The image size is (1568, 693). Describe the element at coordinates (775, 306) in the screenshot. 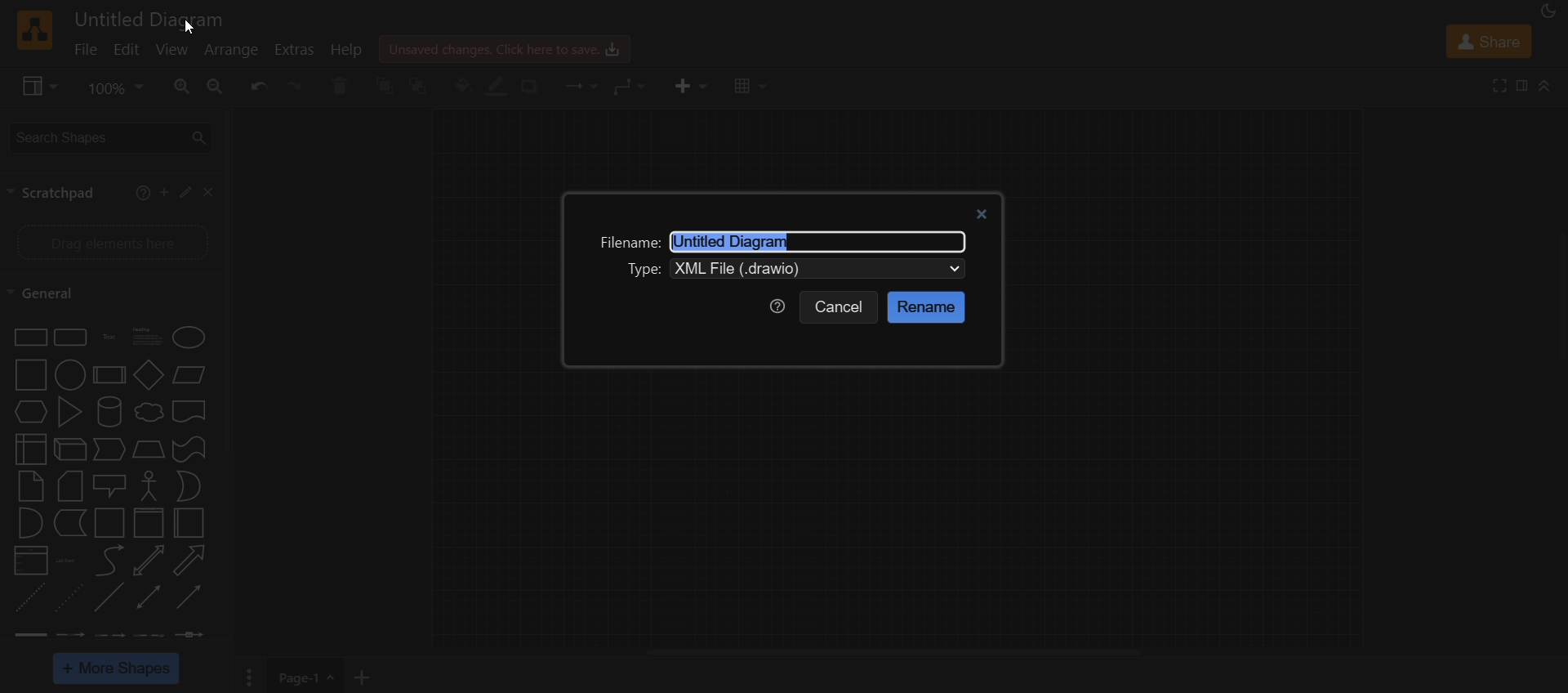

I see `help` at that location.